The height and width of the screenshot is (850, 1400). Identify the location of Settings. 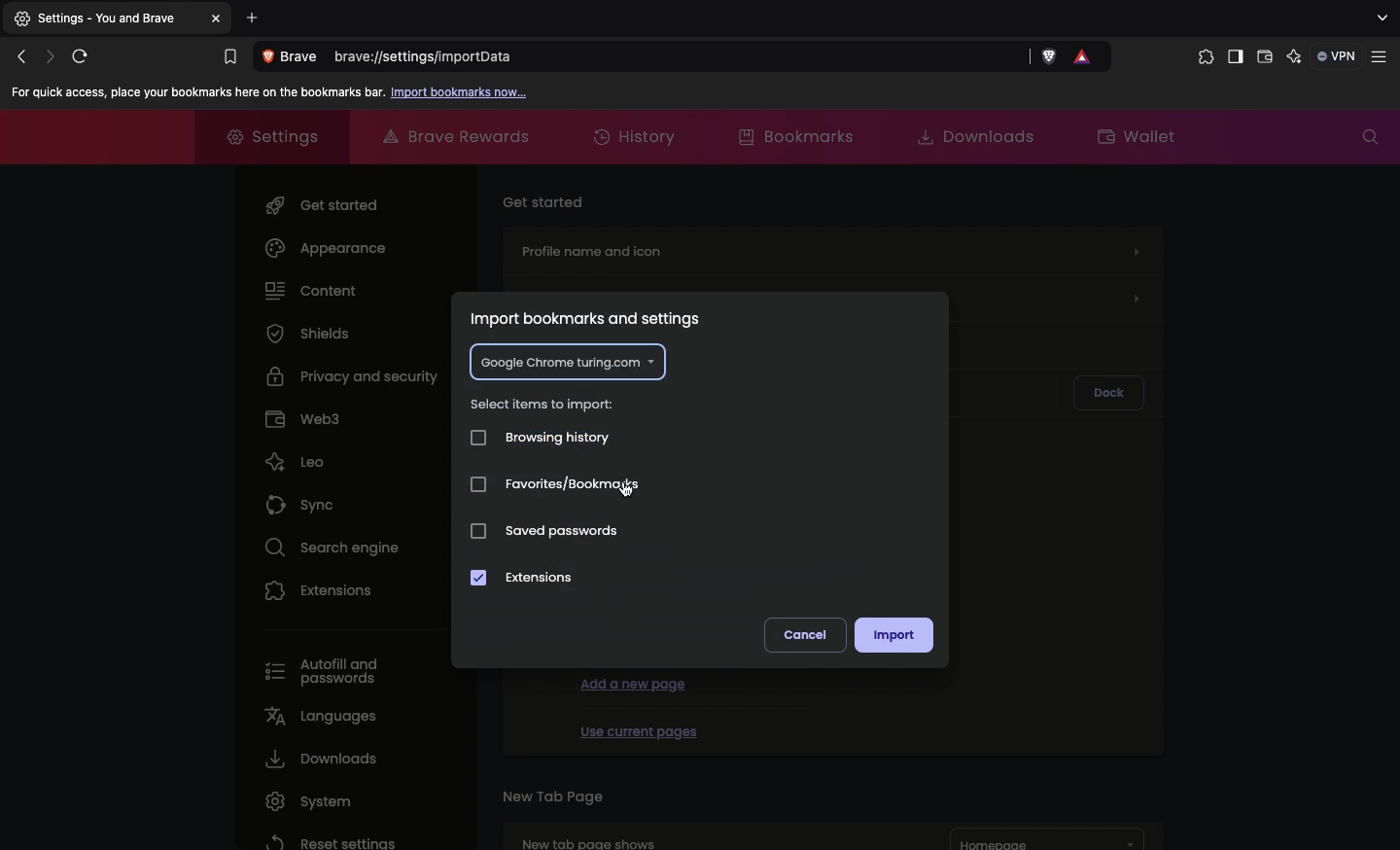
(264, 134).